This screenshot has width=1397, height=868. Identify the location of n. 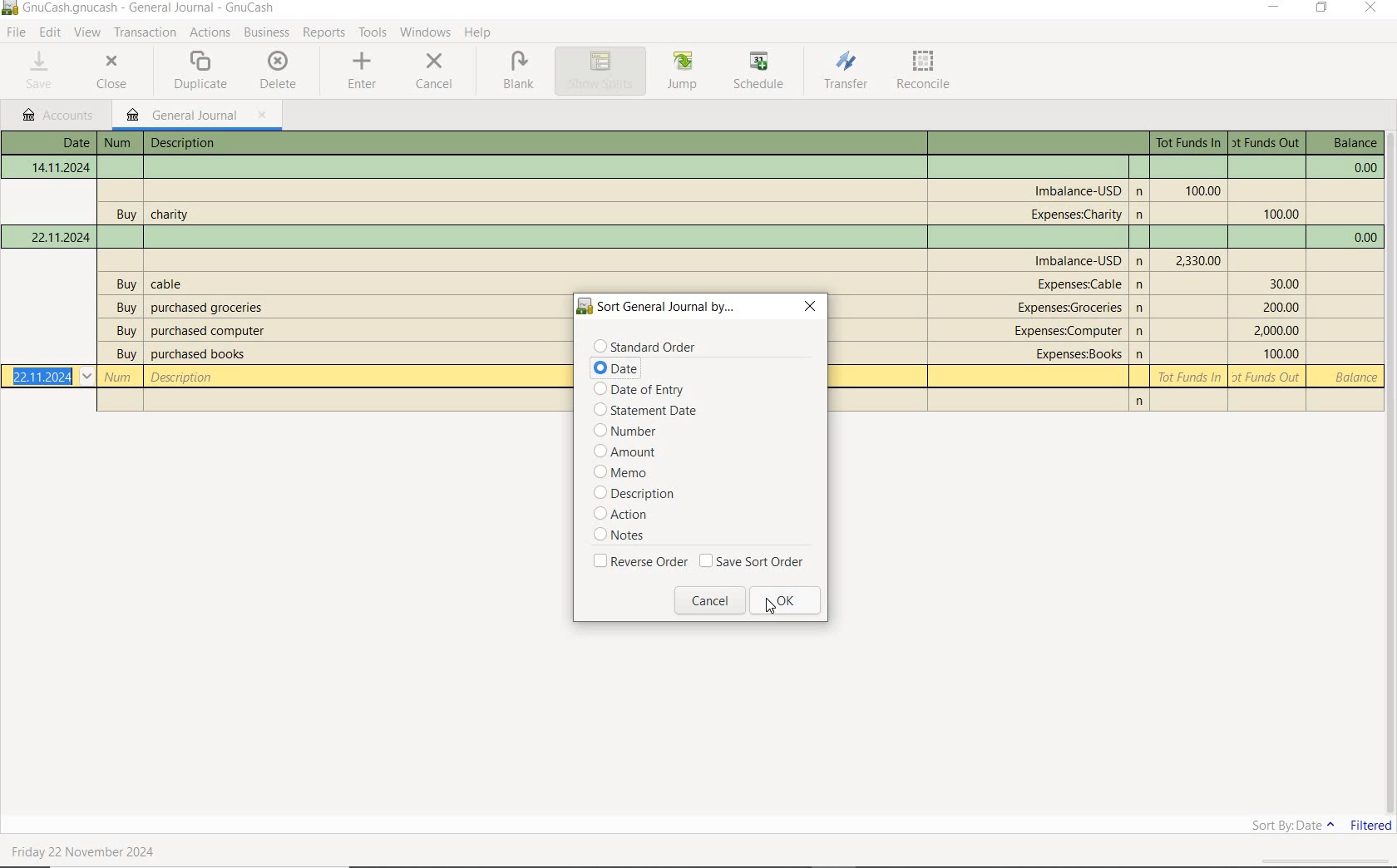
(1142, 216).